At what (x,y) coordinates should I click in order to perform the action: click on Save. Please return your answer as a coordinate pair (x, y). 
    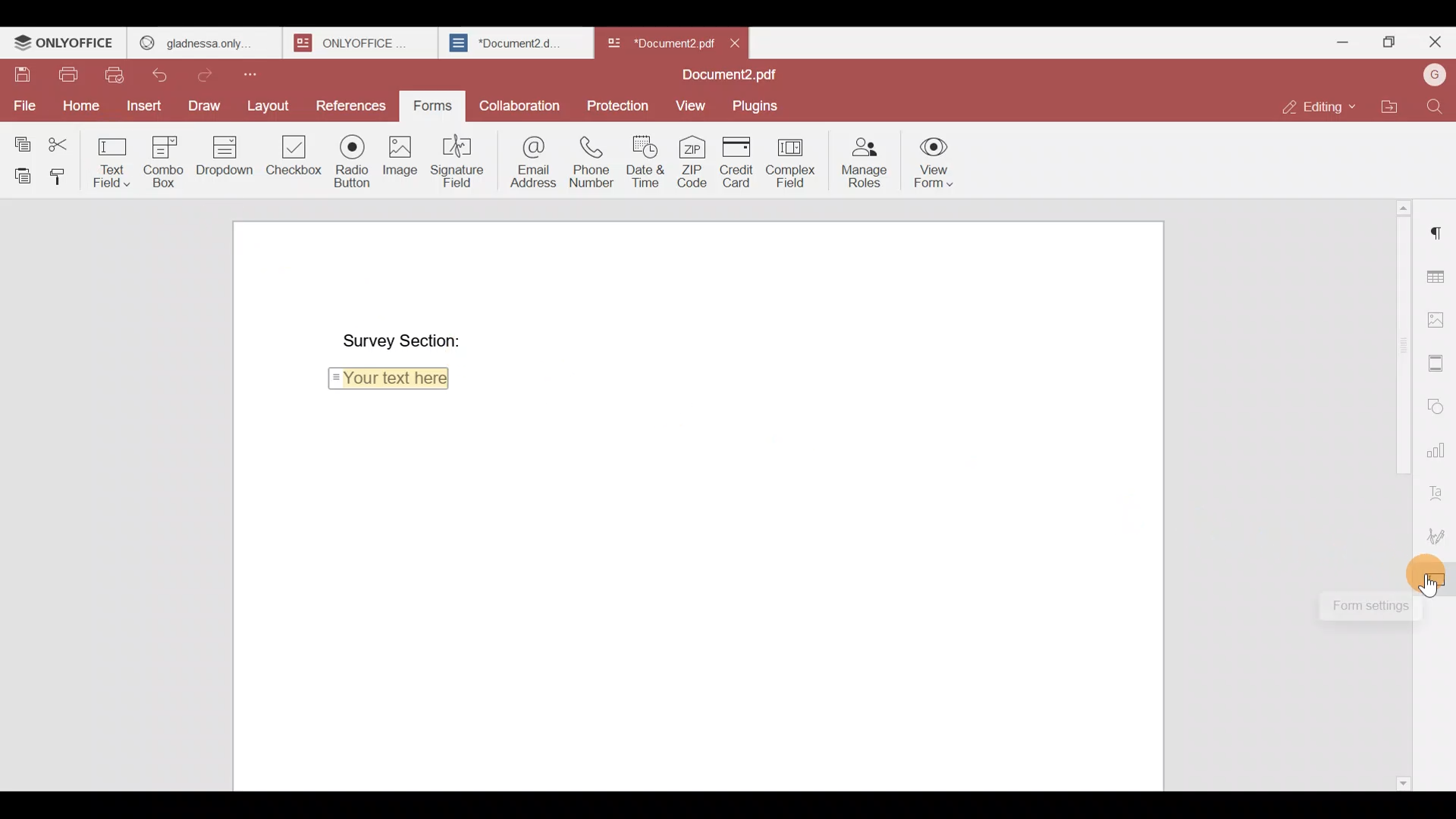
    Looking at the image, I should click on (15, 69).